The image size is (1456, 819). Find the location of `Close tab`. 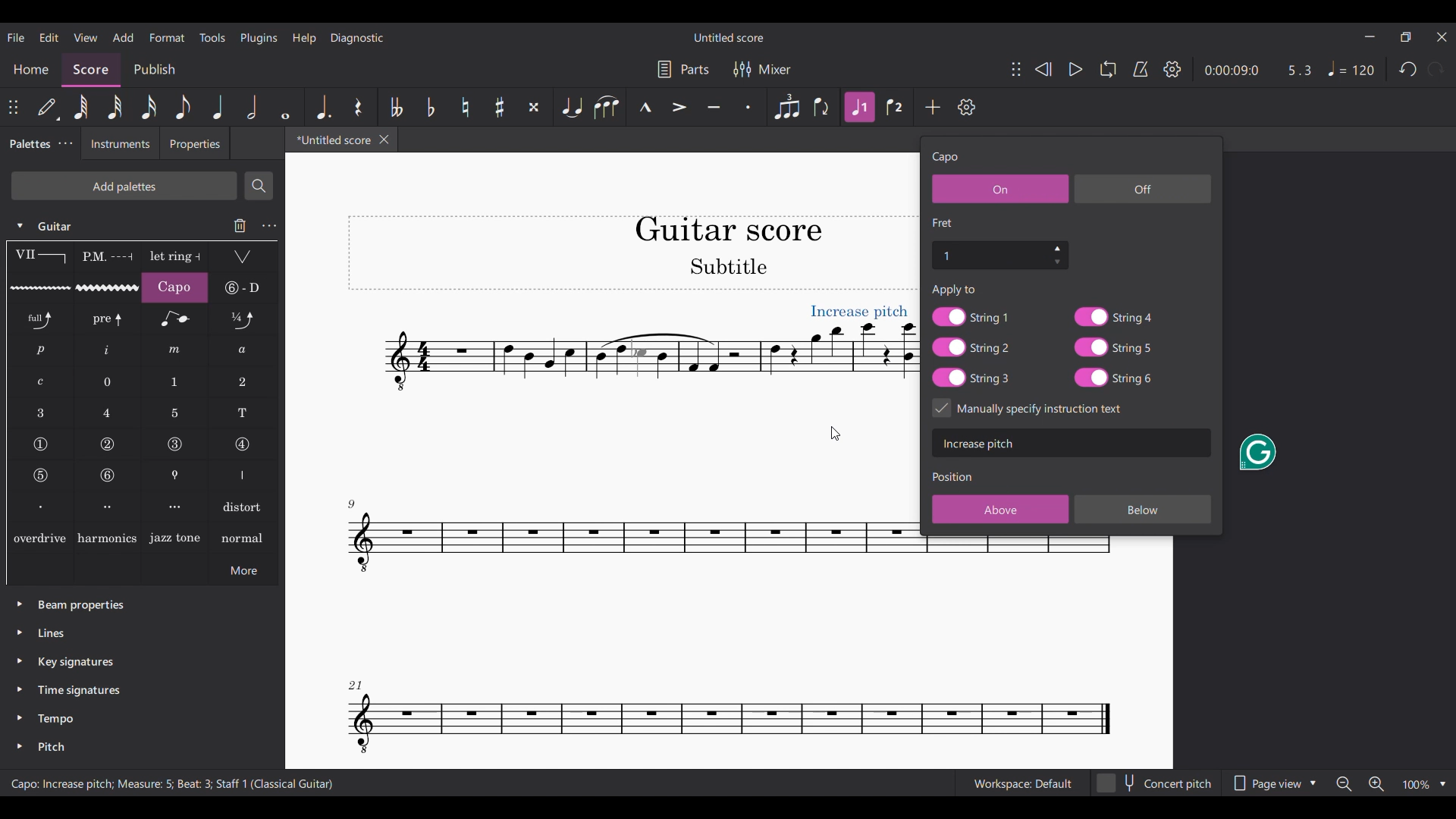

Close tab is located at coordinates (384, 140).